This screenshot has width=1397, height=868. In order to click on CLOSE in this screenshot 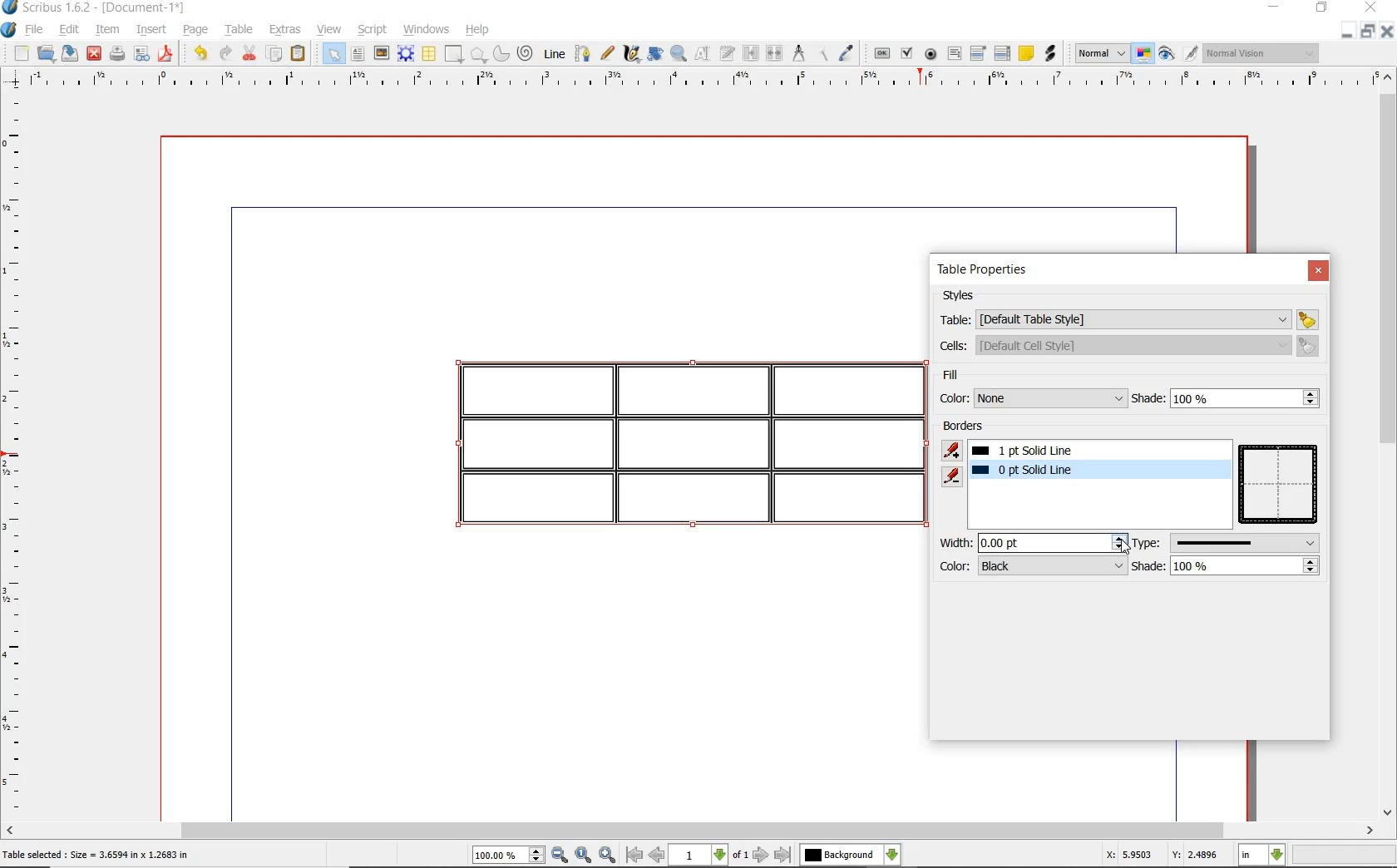, I will do `click(1371, 7)`.